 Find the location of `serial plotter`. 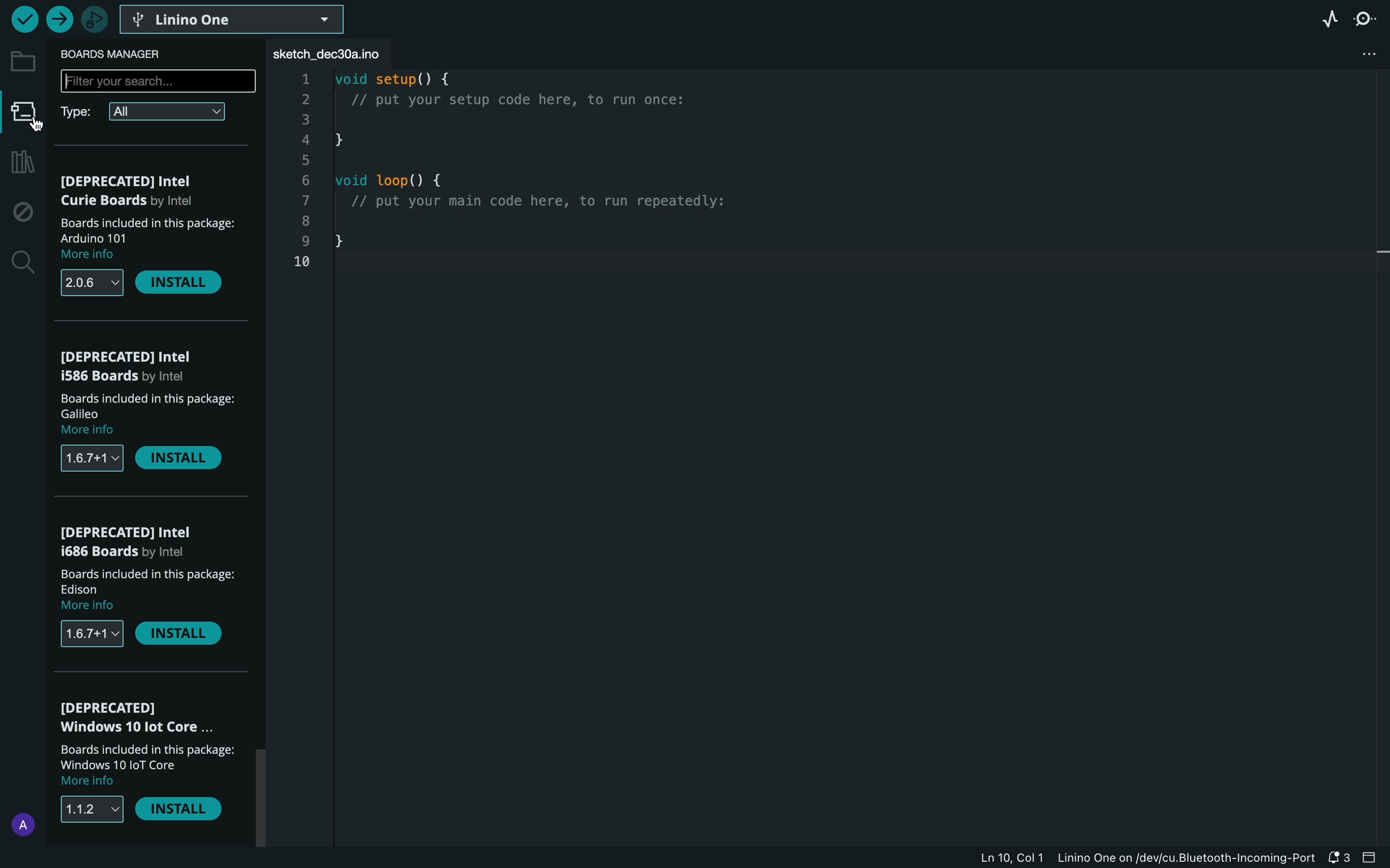

serial plotter is located at coordinates (1323, 17).